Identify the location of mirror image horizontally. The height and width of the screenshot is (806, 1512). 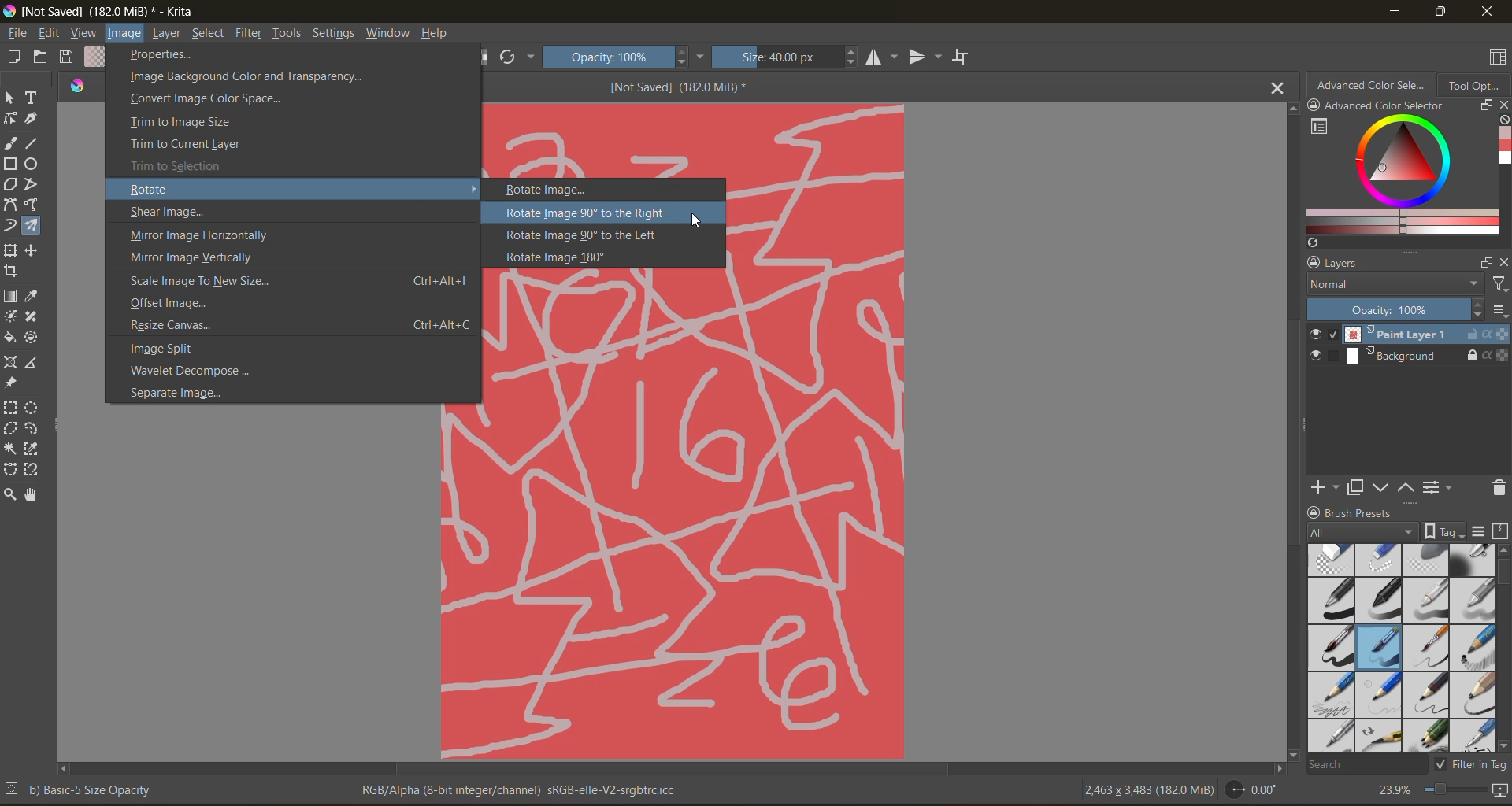
(201, 236).